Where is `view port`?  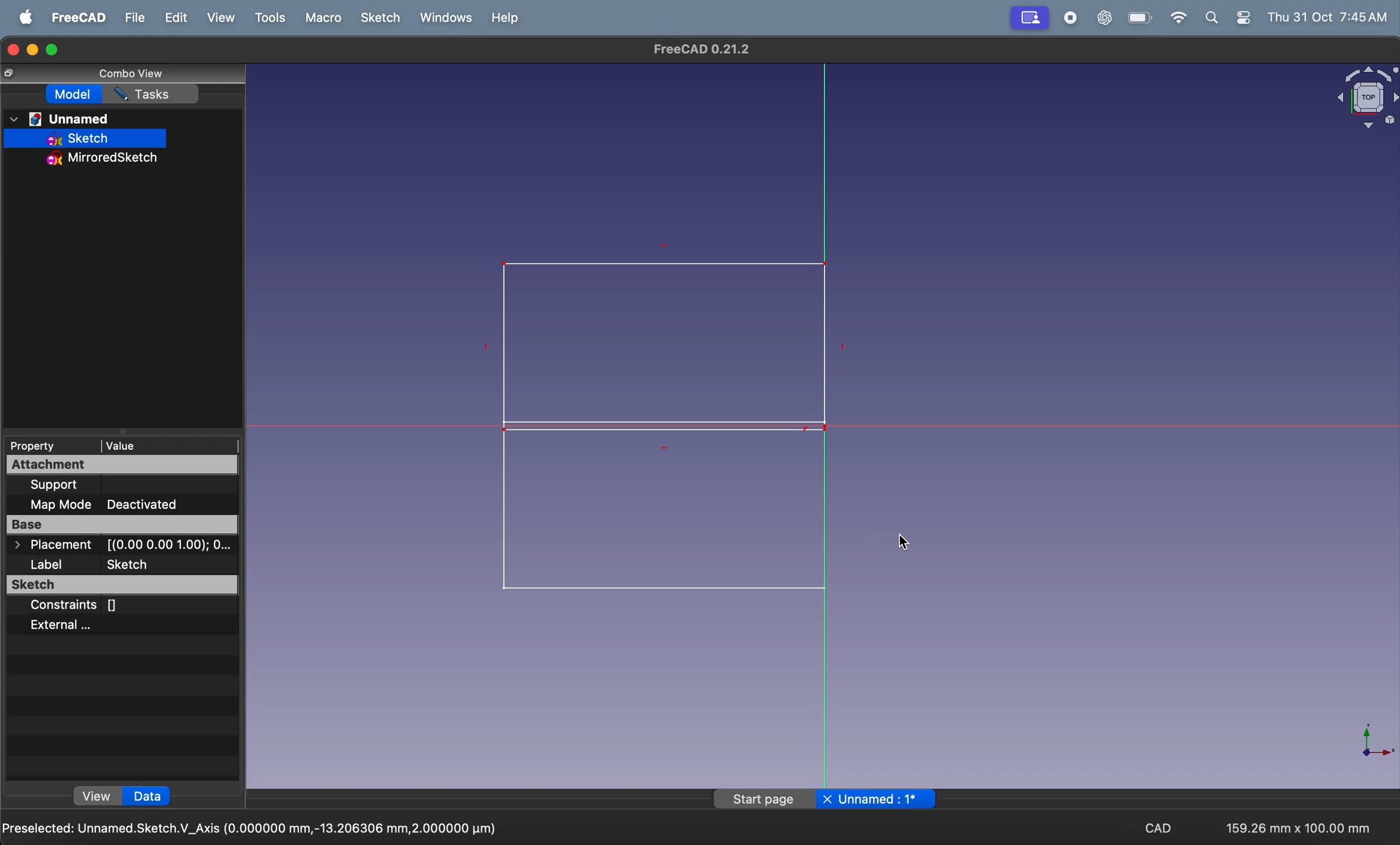 view port is located at coordinates (1029, 18).